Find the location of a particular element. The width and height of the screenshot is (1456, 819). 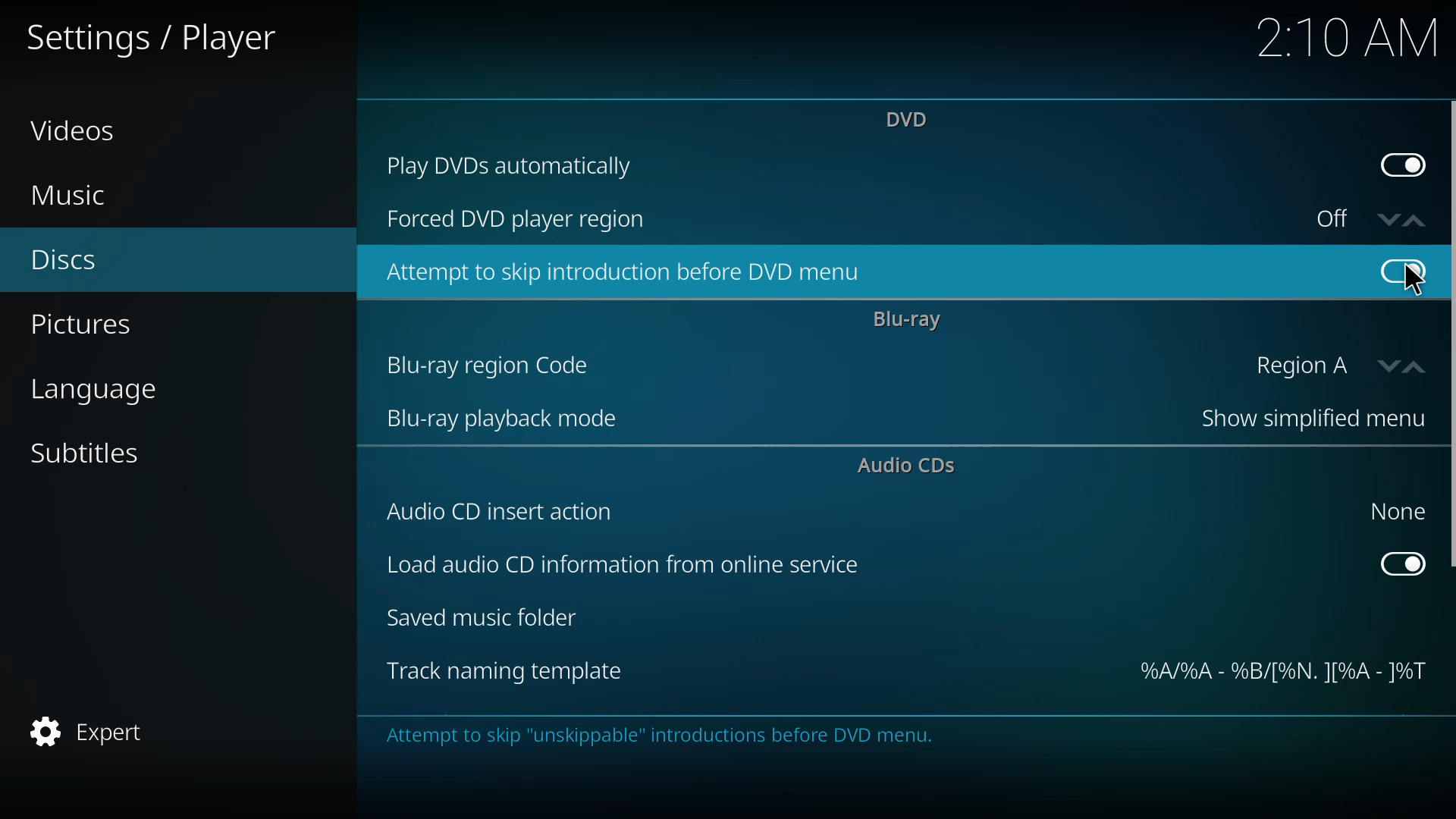

dvd is located at coordinates (910, 120).